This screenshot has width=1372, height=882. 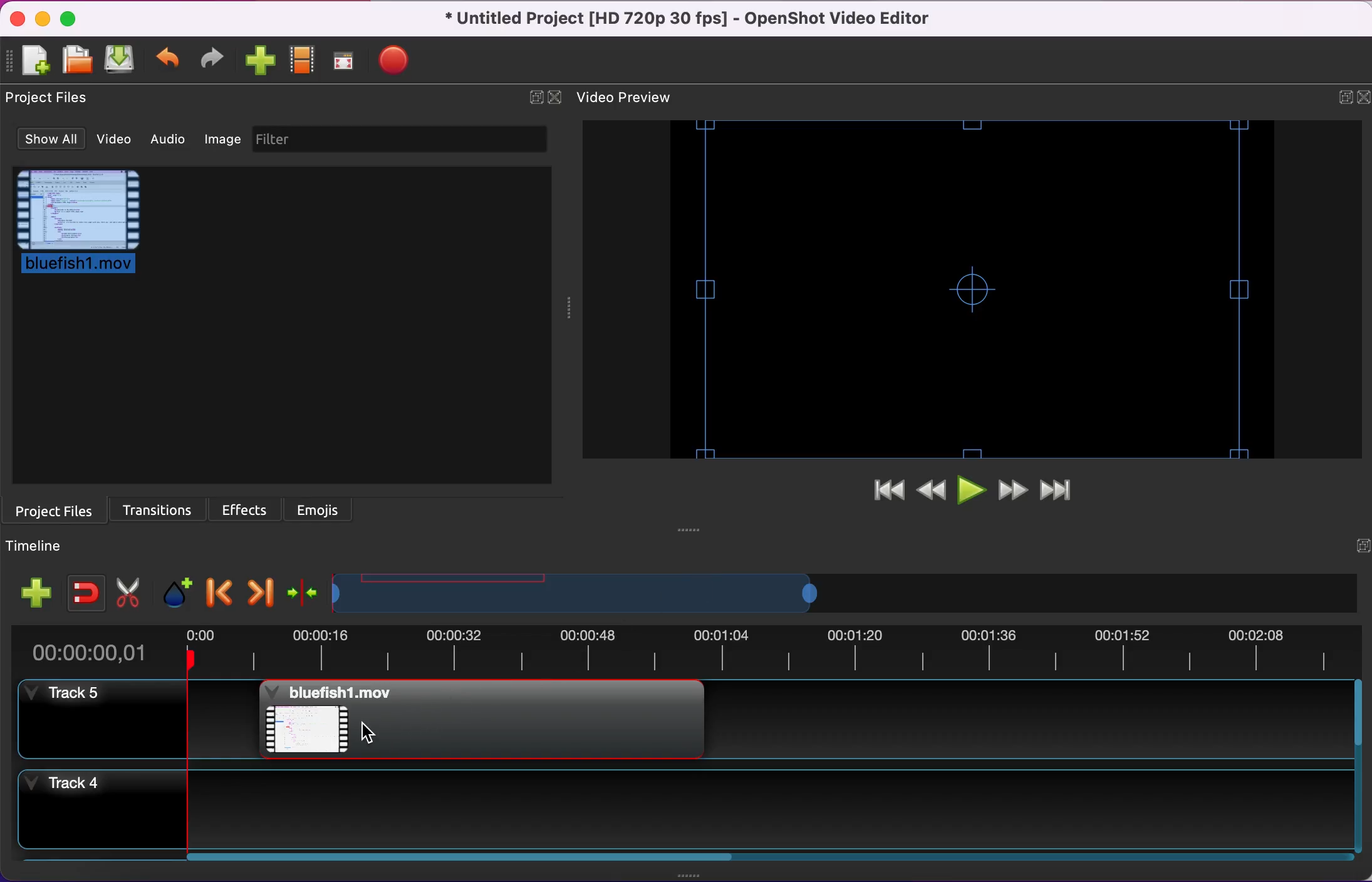 I want to click on effects, so click(x=244, y=511).